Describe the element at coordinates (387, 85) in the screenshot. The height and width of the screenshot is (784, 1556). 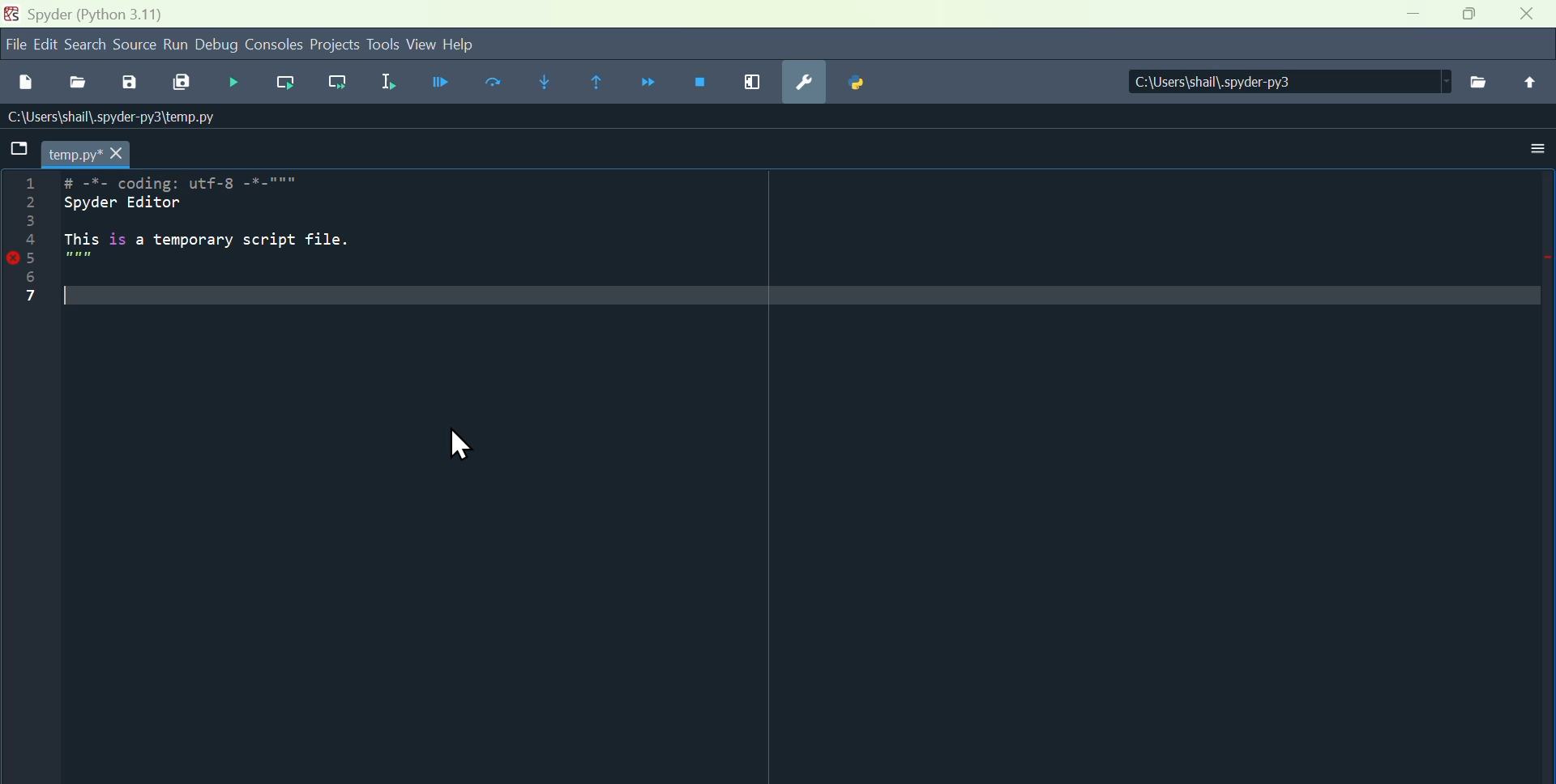
I see `Run selection` at that location.